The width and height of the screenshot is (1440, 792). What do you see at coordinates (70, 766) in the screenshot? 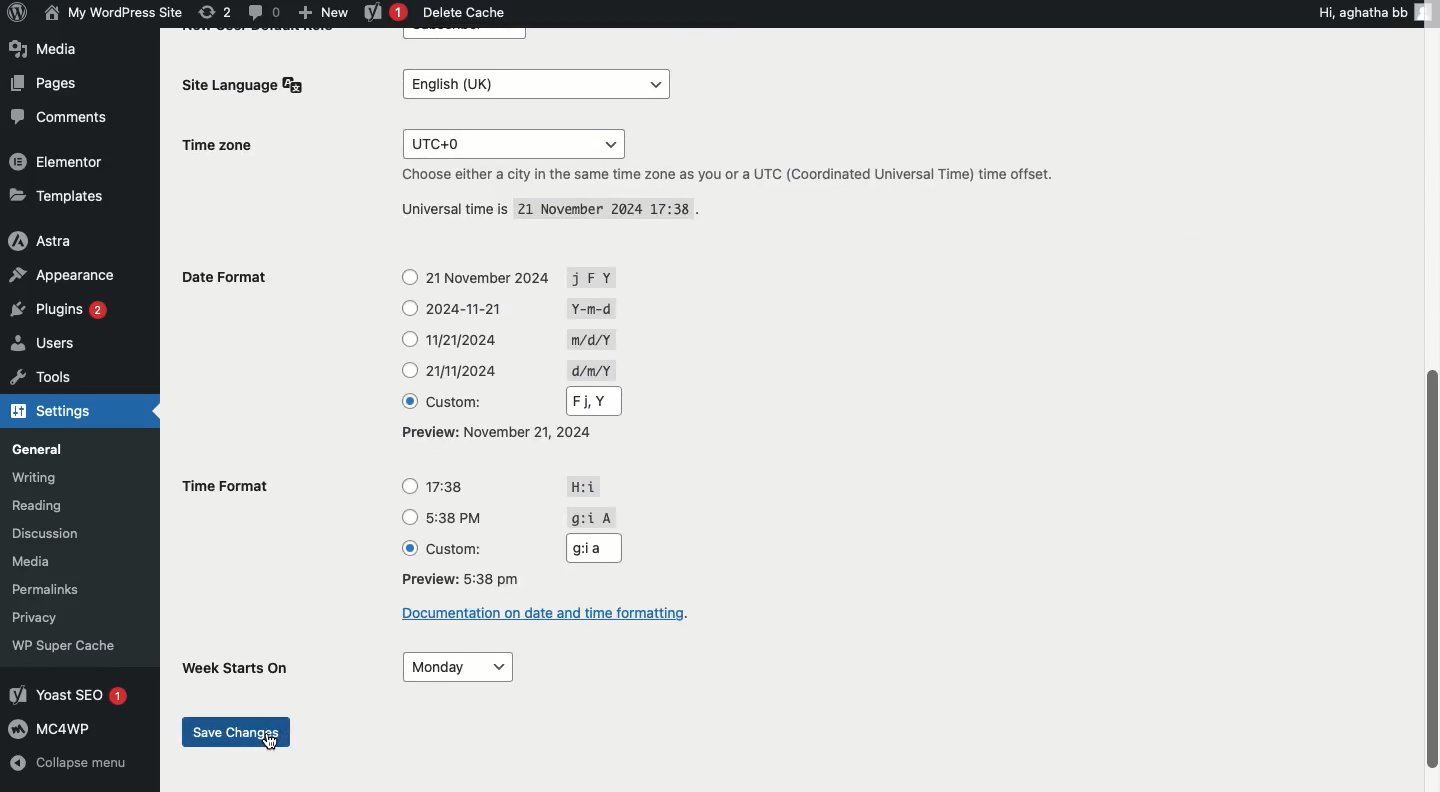
I see `Collapse menu` at bounding box center [70, 766].